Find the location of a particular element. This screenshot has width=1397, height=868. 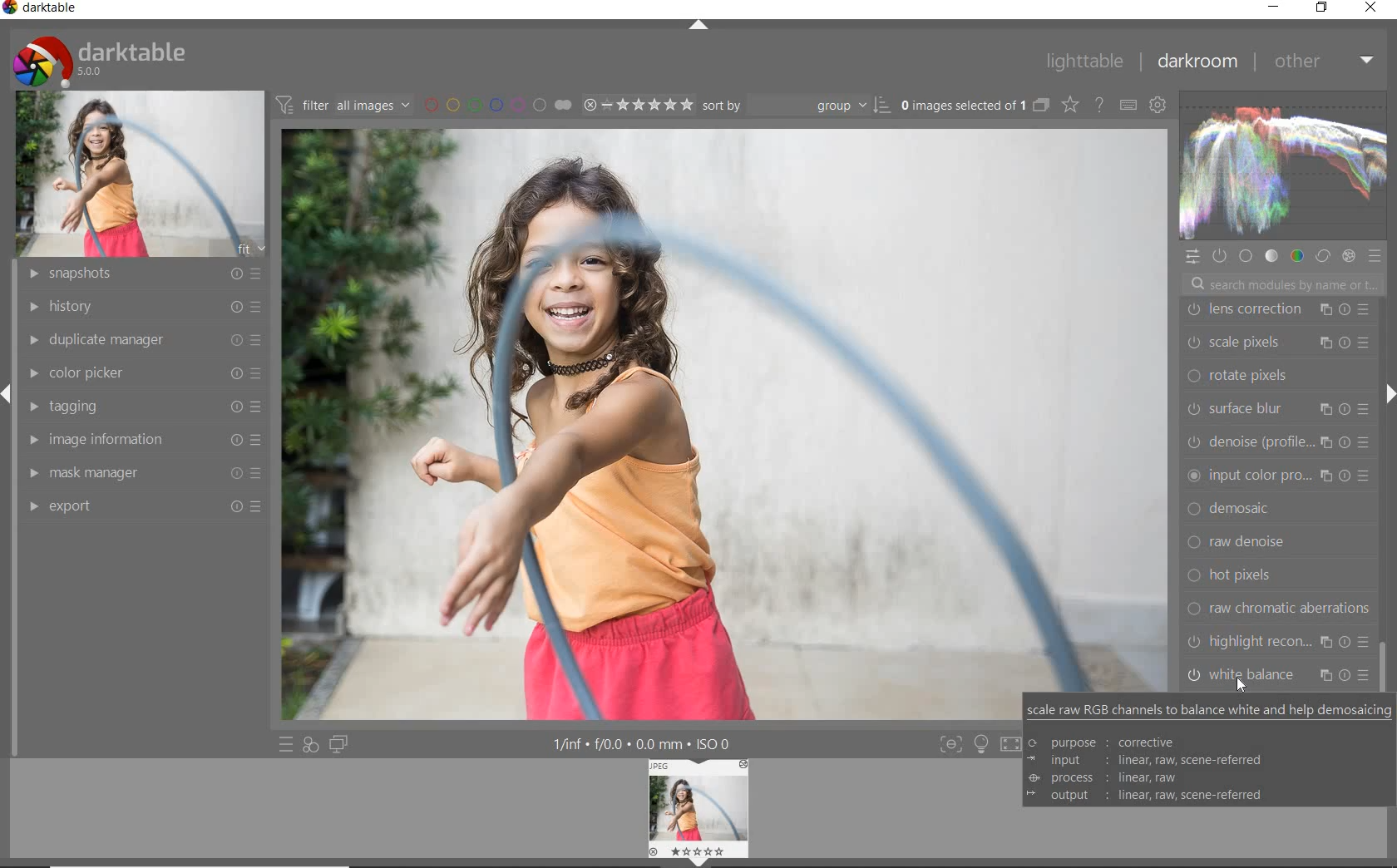

expand/collapse is located at coordinates (1385, 397).